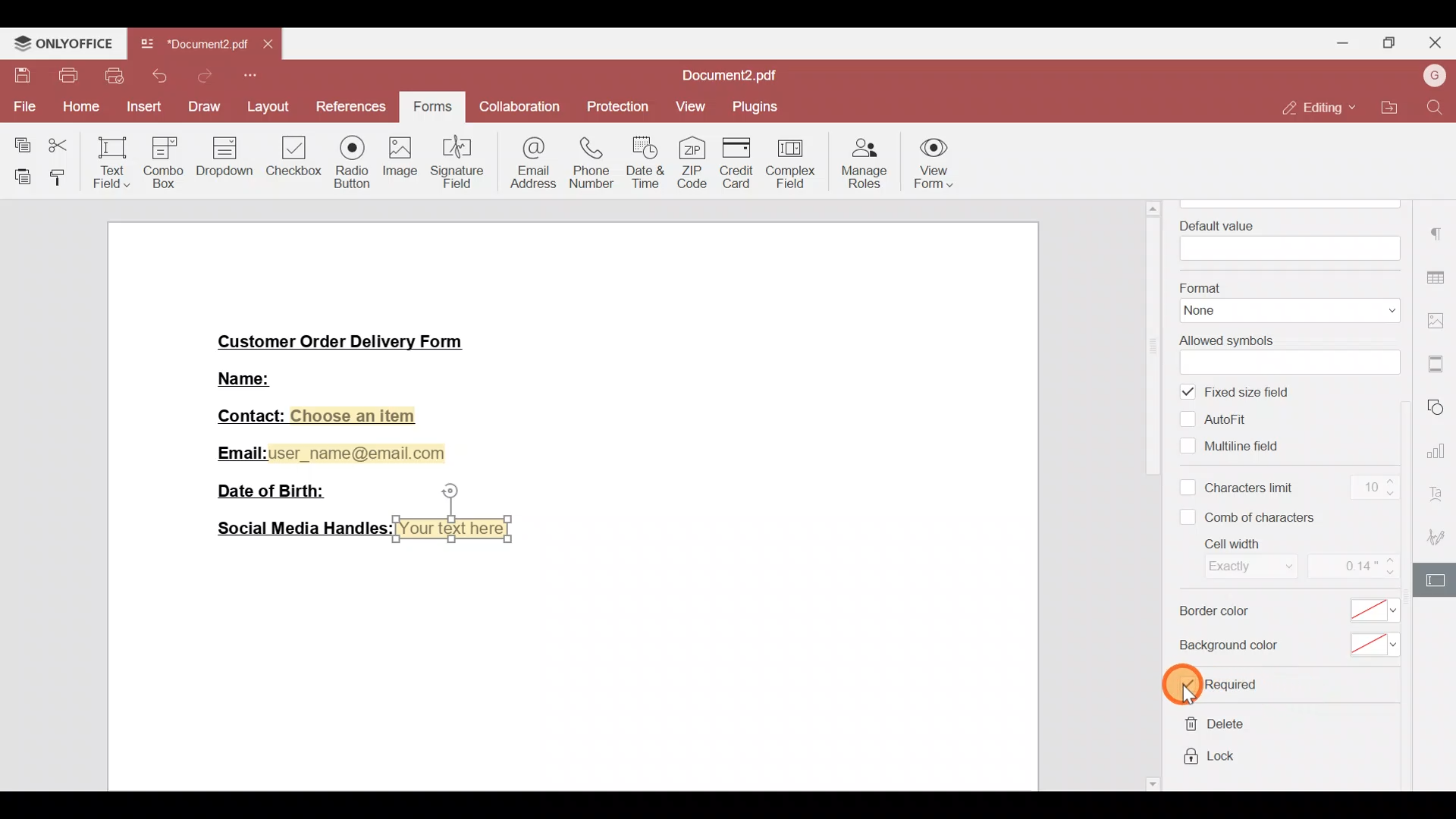 This screenshot has height=819, width=1456. What do you see at coordinates (162, 76) in the screenshot?
I see `Undo` at bounding box center [162, 76].